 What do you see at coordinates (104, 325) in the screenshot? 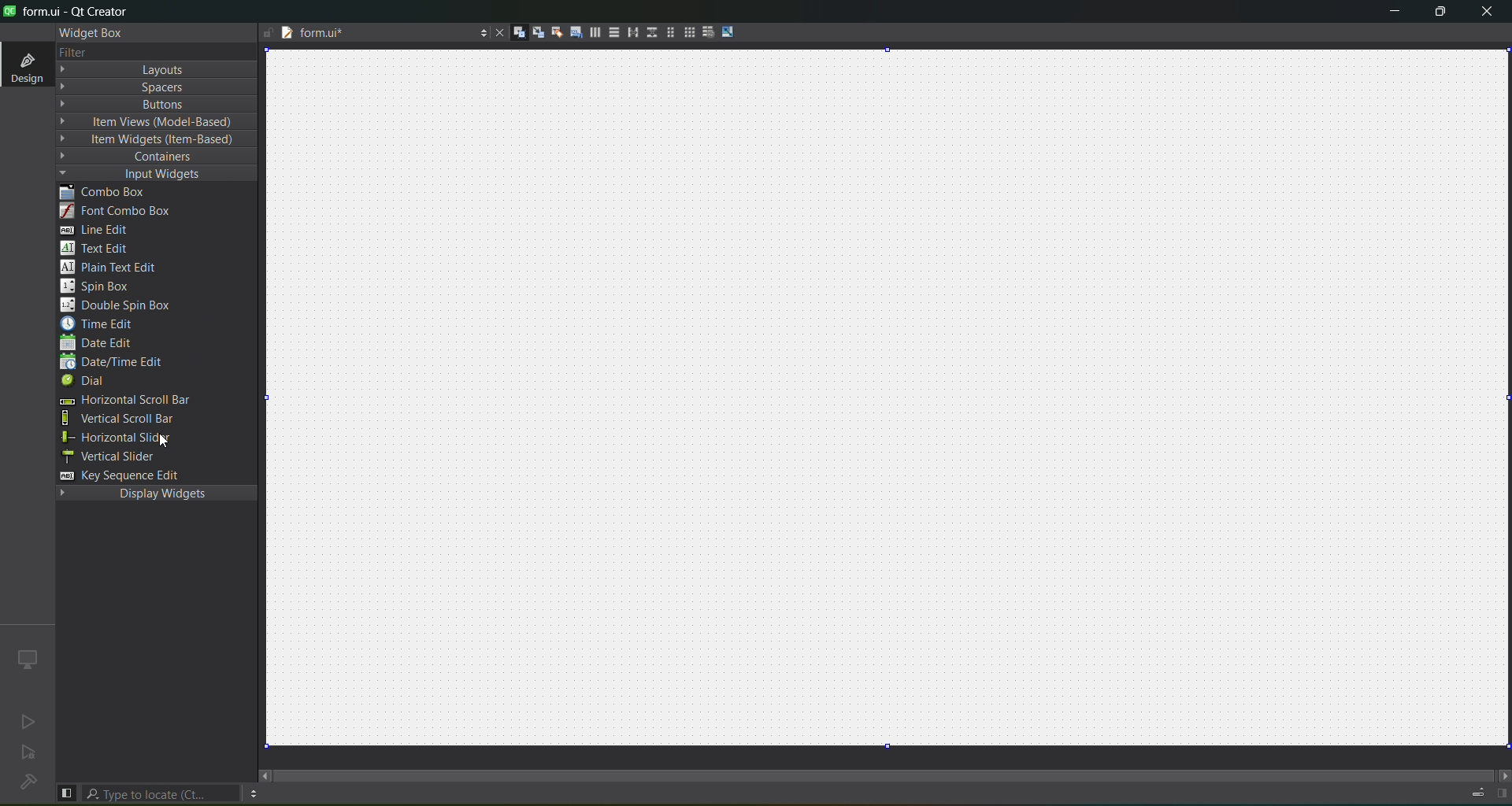
I see `time edit` at bounding box center [104, 325].